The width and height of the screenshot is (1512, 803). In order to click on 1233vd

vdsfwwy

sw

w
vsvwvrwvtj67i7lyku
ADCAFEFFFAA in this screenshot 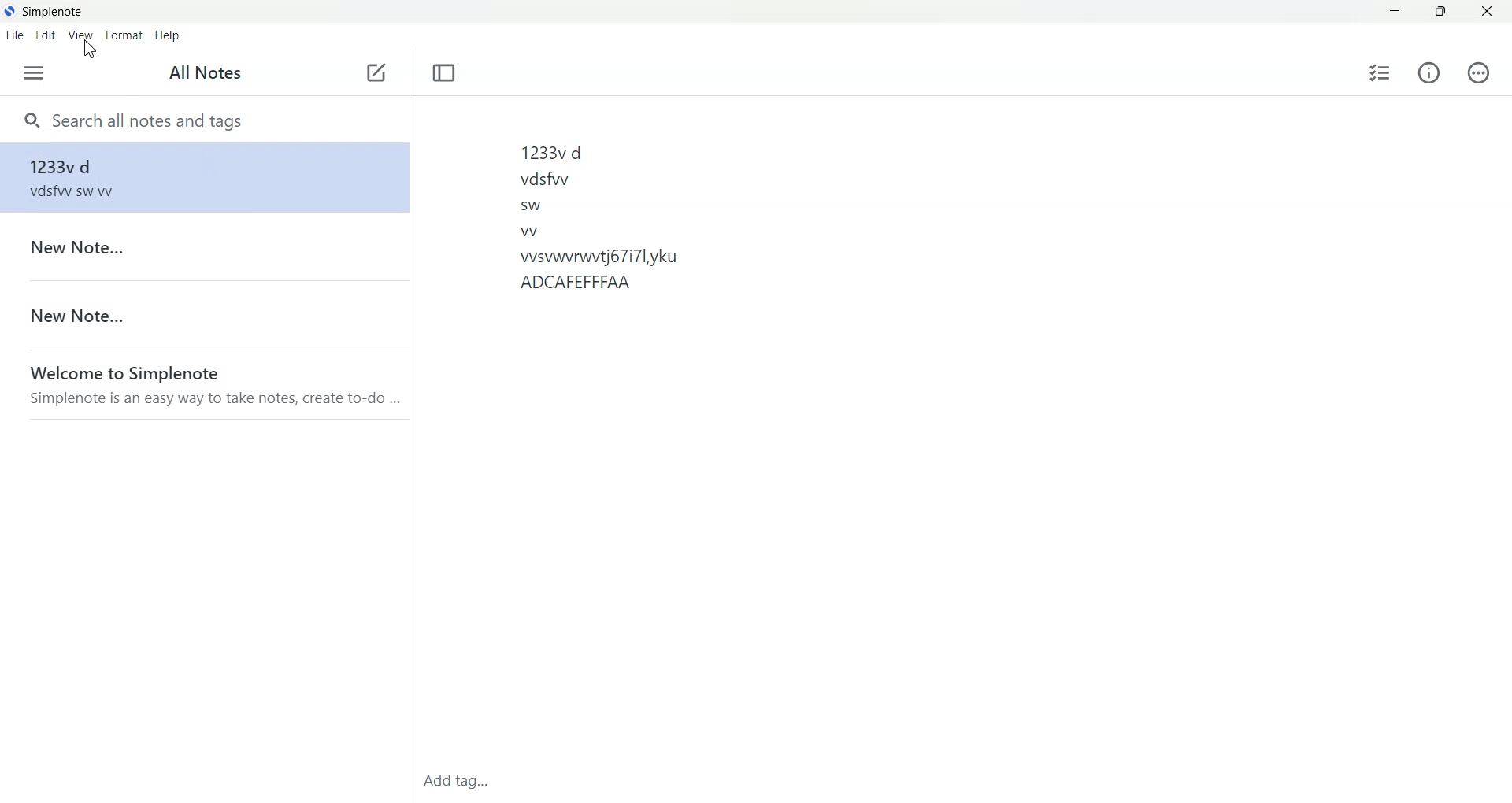, I will do `click(598, 215)`.